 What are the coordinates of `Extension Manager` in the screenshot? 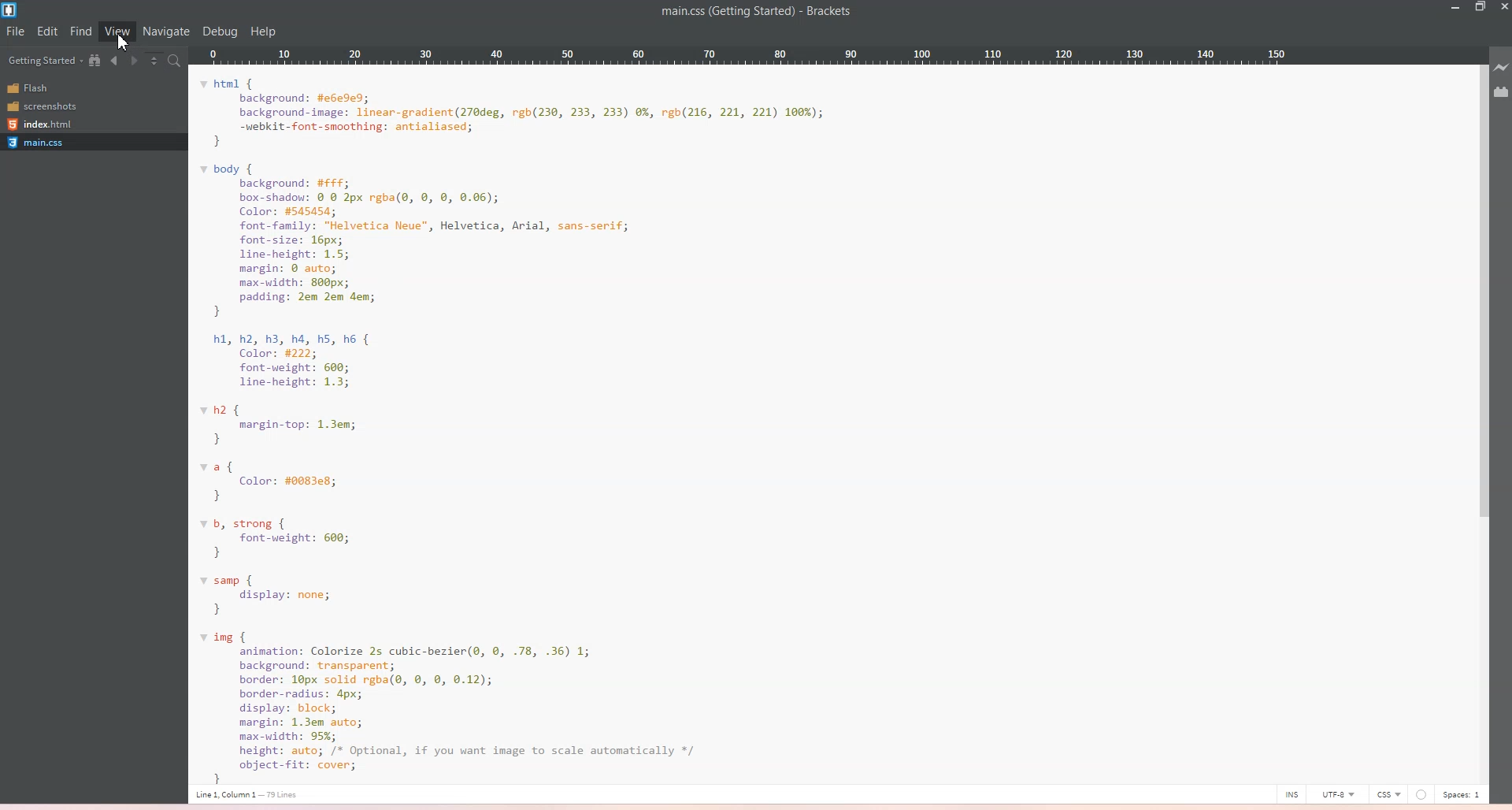 It's located at (1501, 92).